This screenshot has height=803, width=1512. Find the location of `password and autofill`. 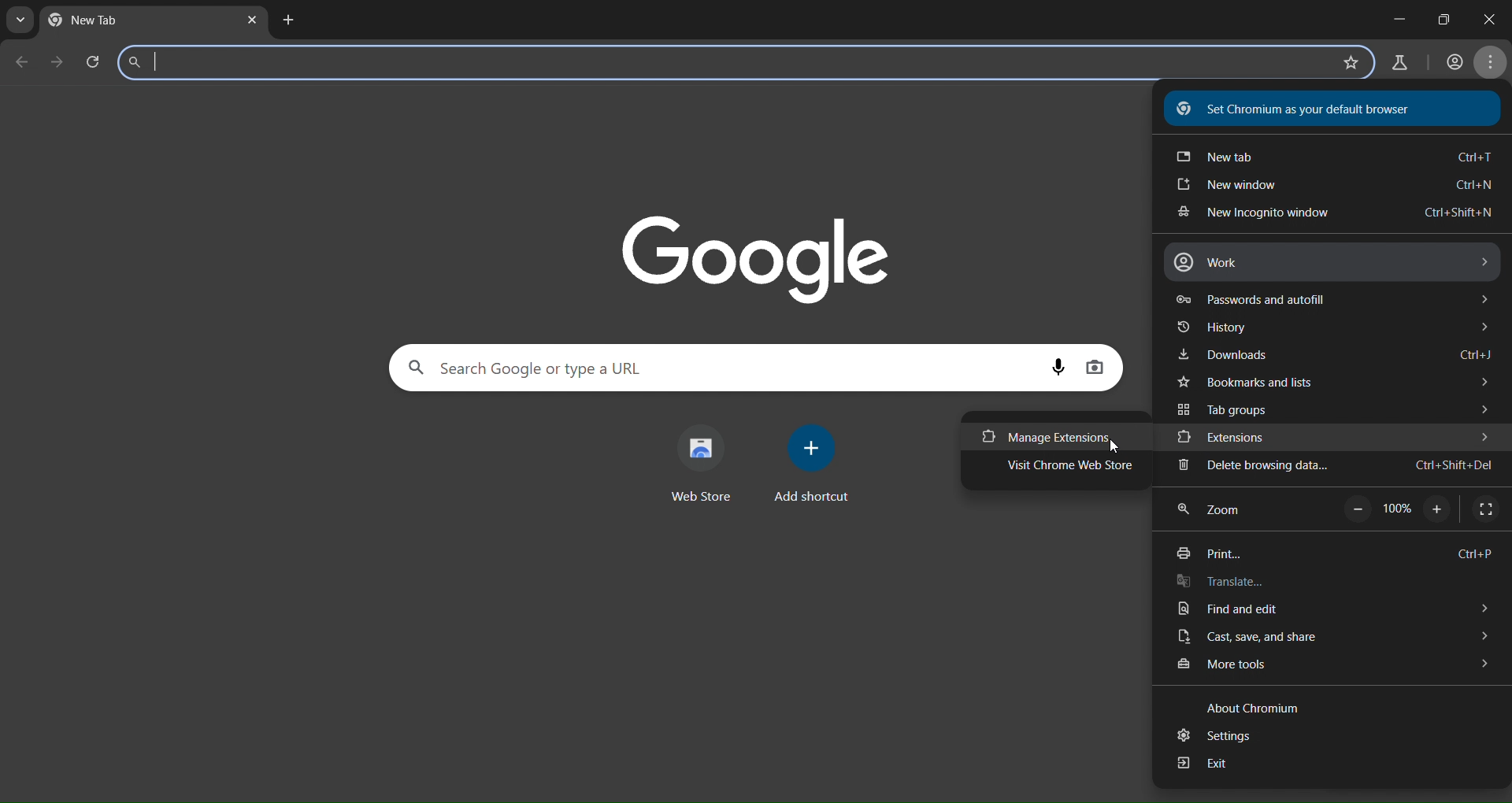

password and autofill is located at coordinates (1331, 299).